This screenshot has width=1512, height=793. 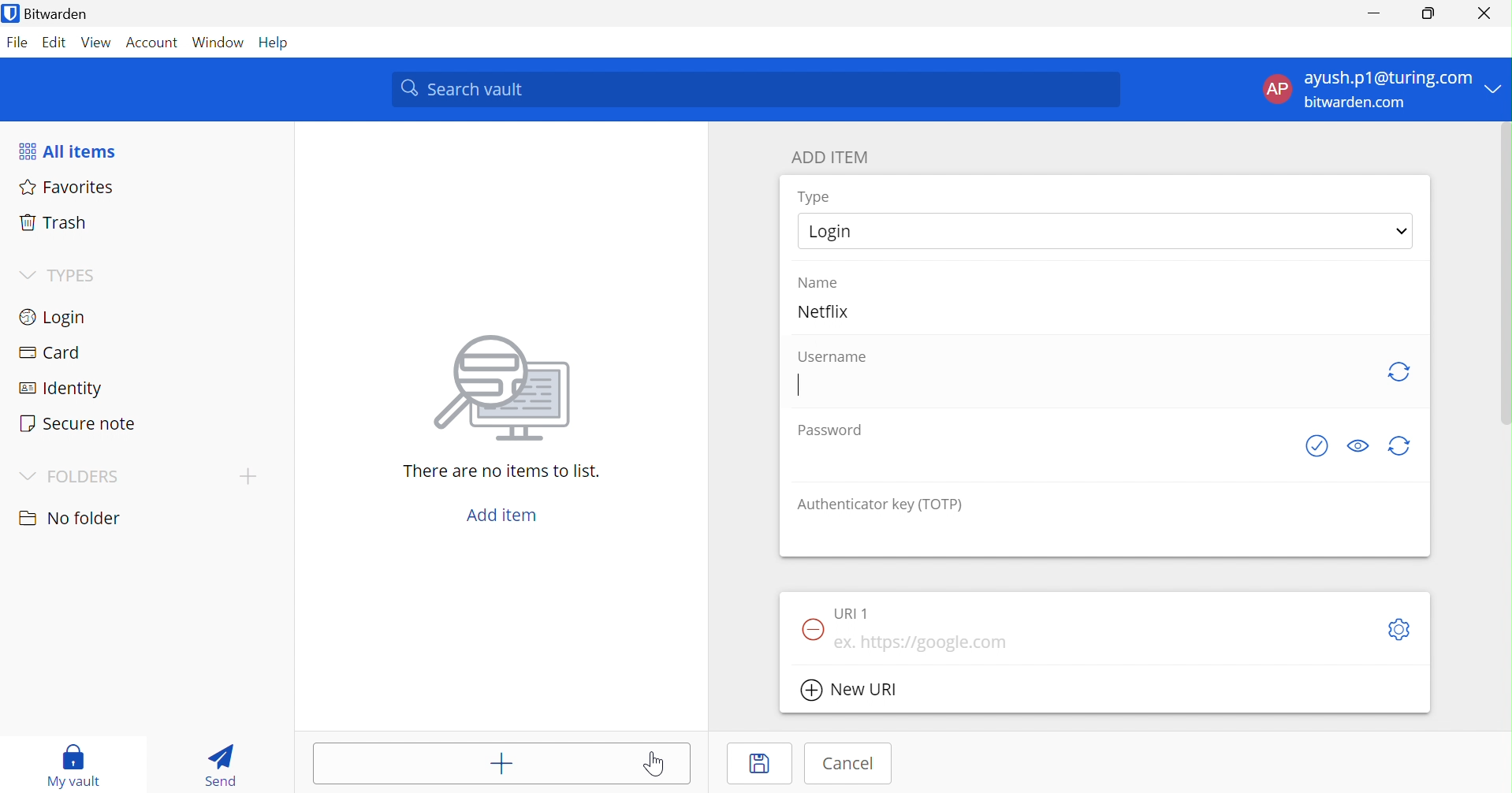 What do you see at coordinates (220, 768) in the screenshot?
I see `Send` at bounding box center [220, 768].